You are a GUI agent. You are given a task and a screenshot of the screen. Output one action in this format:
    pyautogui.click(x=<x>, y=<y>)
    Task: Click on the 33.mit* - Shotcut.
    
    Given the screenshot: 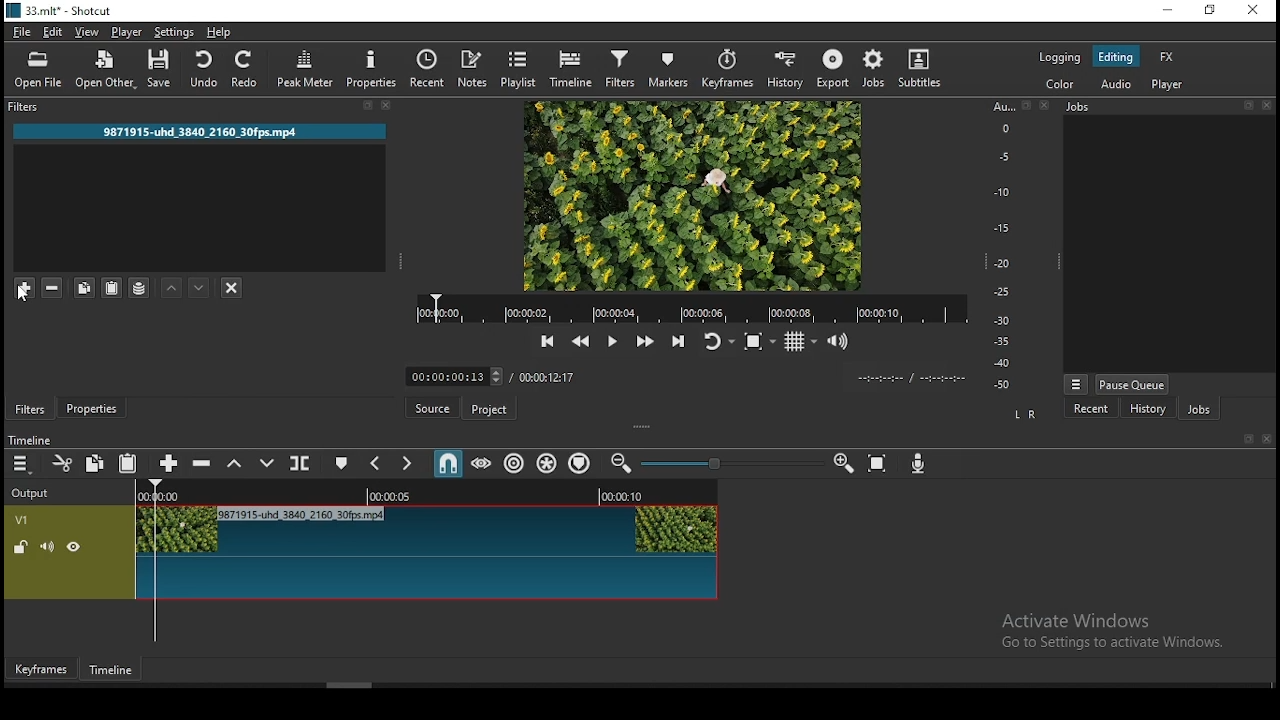 What is the action you would take?
    pyautogui.click(x=71, y=12)
    